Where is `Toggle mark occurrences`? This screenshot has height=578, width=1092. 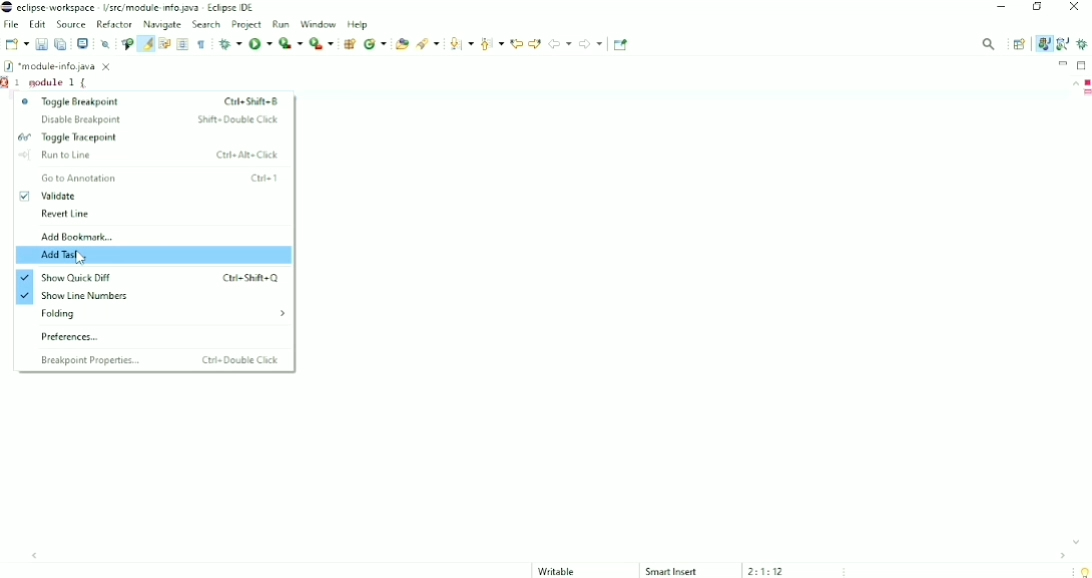 Toggle mark occurrences is located at coordinates (145, 43).